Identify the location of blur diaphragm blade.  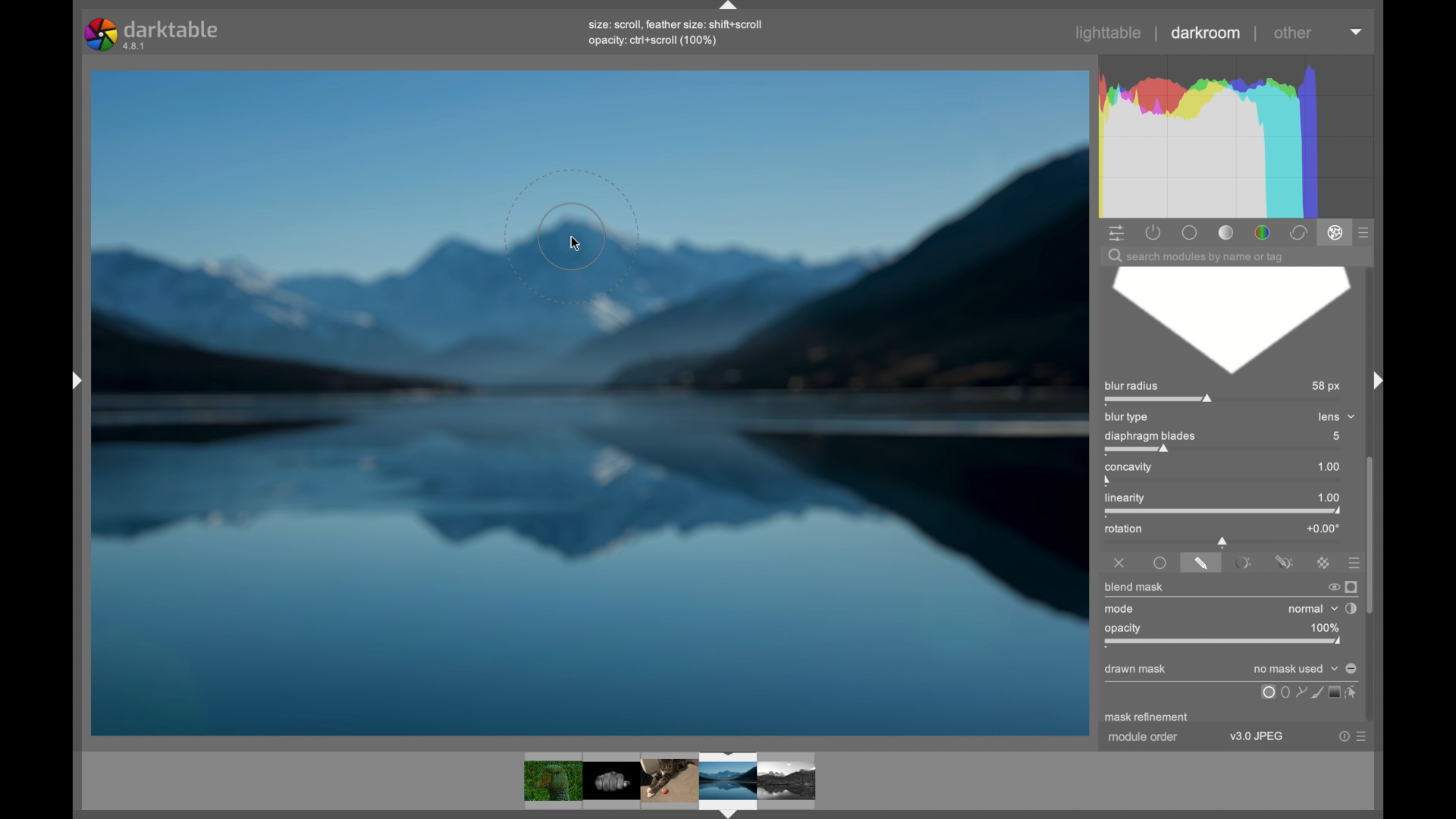
(1228, 322).